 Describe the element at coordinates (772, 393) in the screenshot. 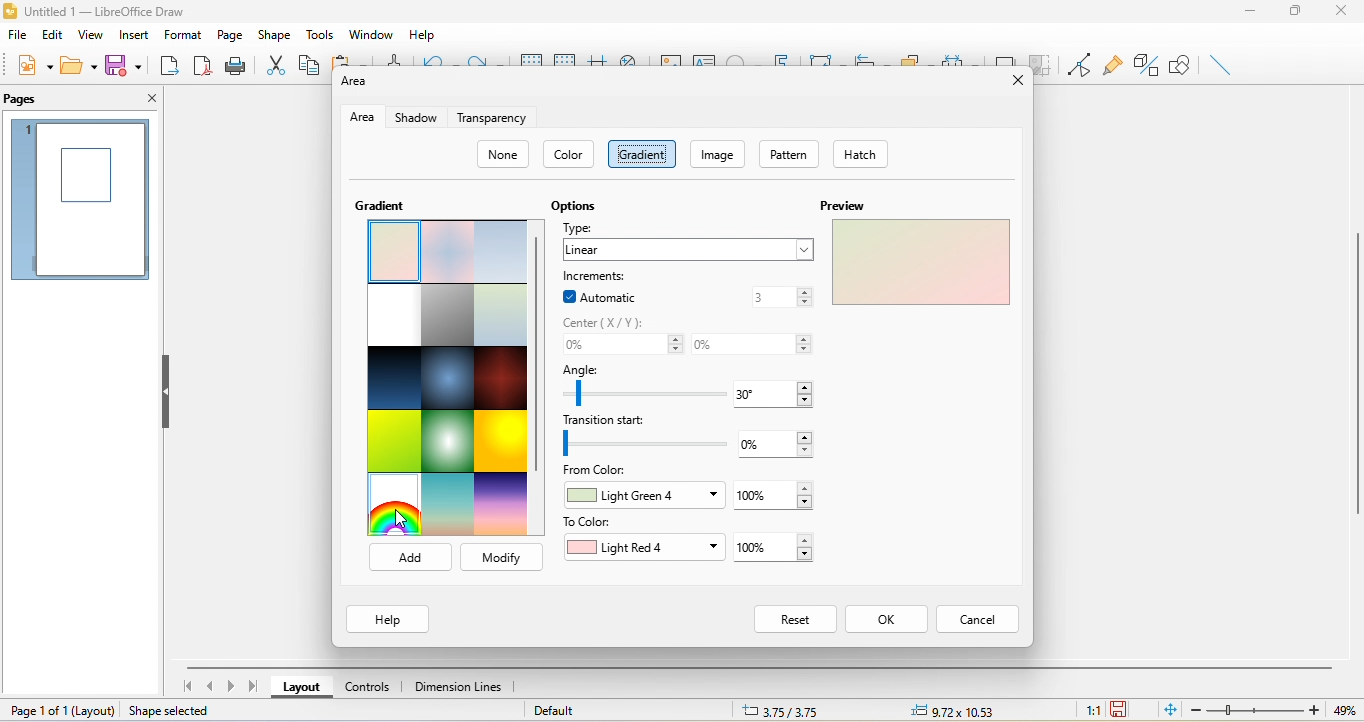

I see `30` at that location.